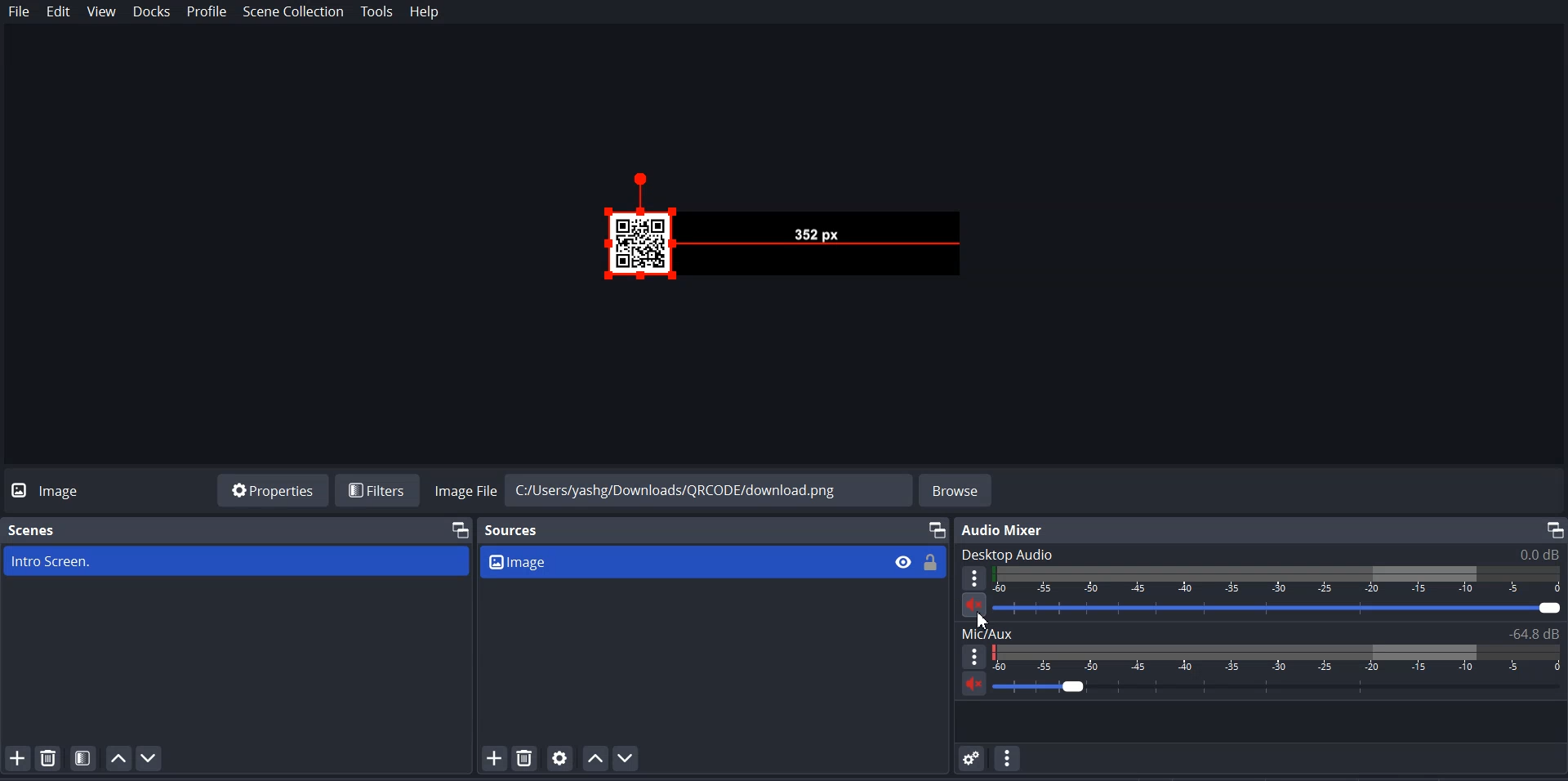 Image resolution: width=1568 pixels, height=781 pixels. I want to click on Move scene Down, so click(149, 757).